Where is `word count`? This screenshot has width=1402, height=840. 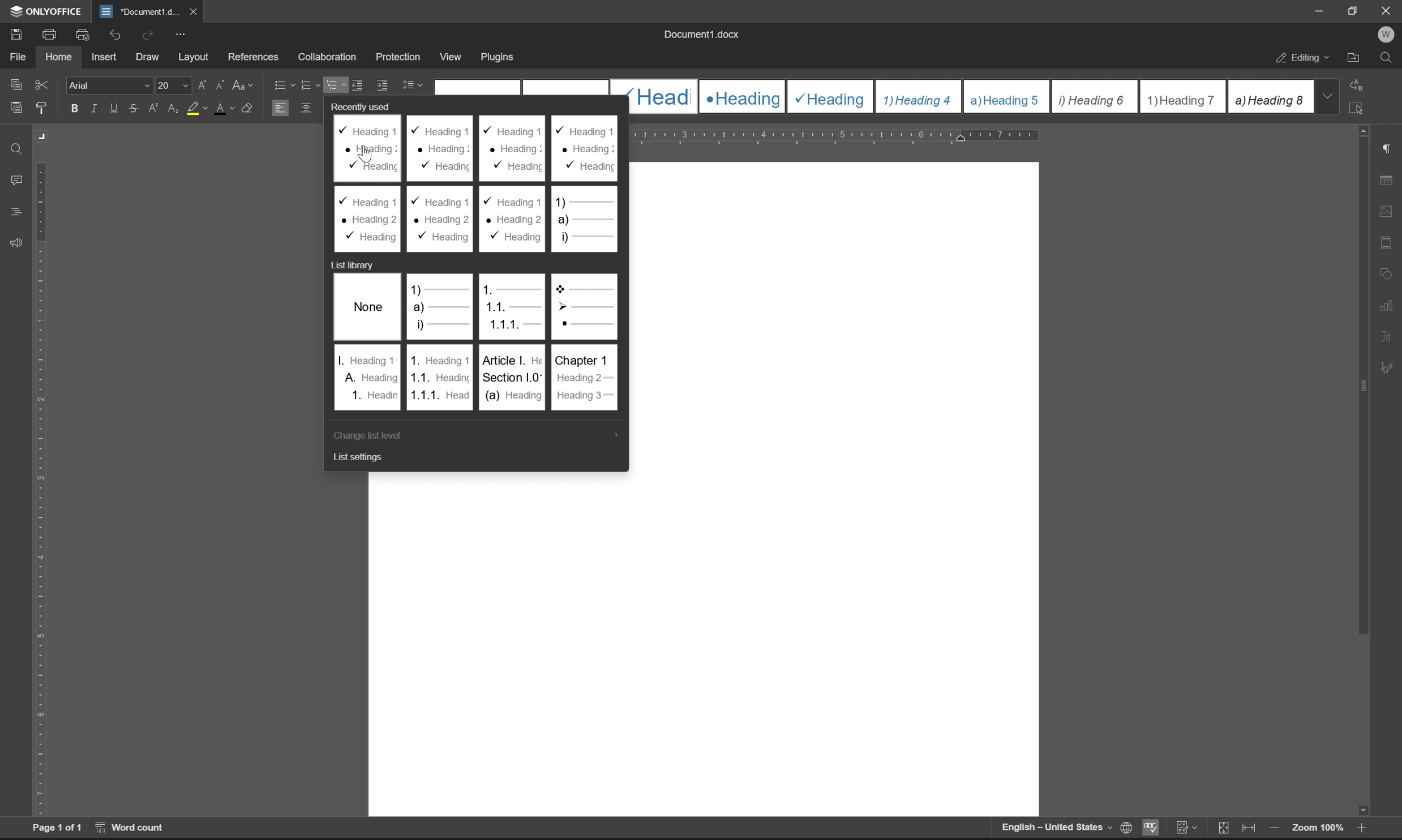 word count is located at coordinates (131, 827).